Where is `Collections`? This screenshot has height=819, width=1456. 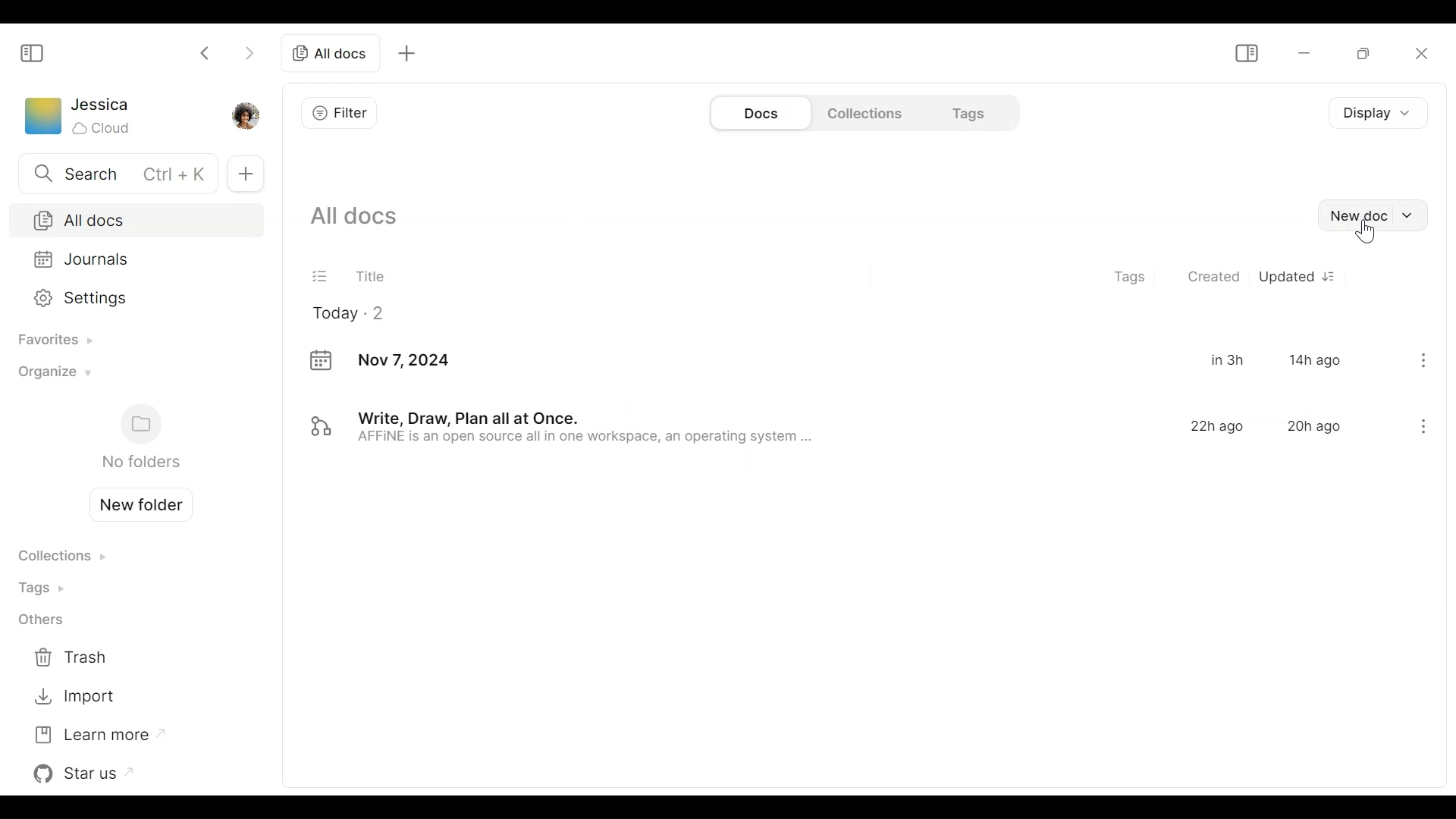
Collections is located at coordinates (61, 557).